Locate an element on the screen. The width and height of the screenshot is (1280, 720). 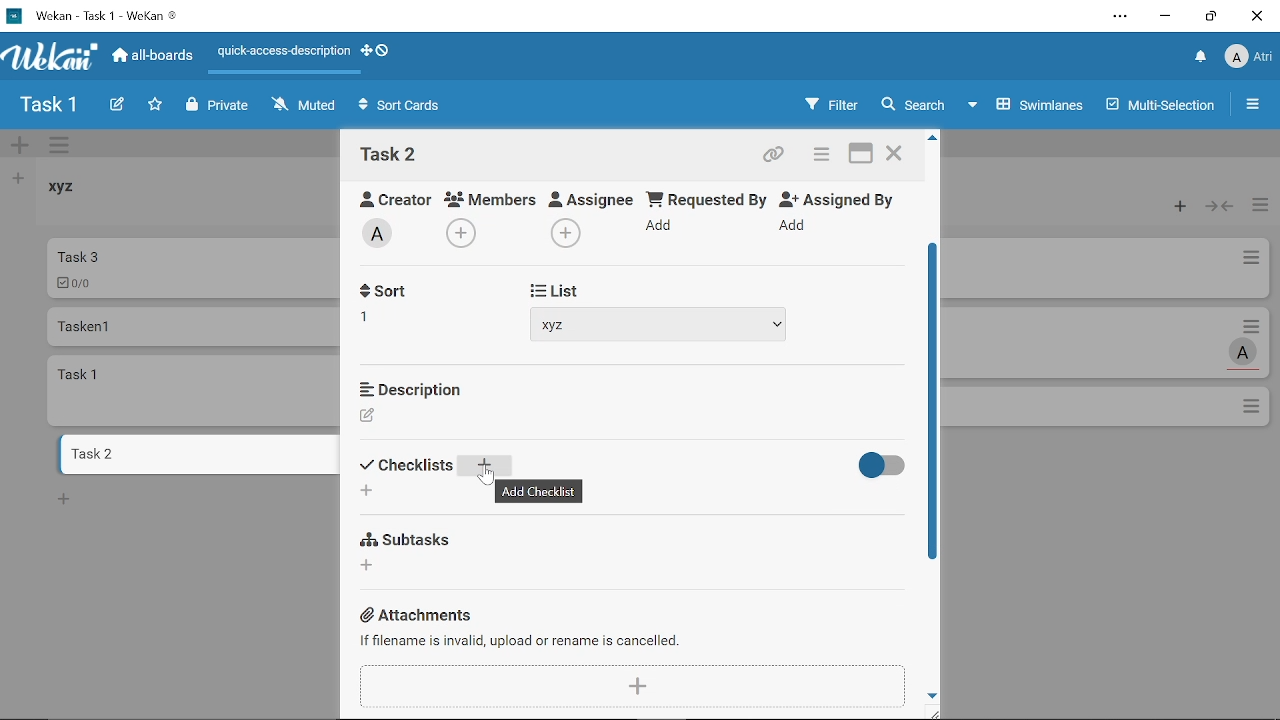
Add is located at coordinates (464, 231).